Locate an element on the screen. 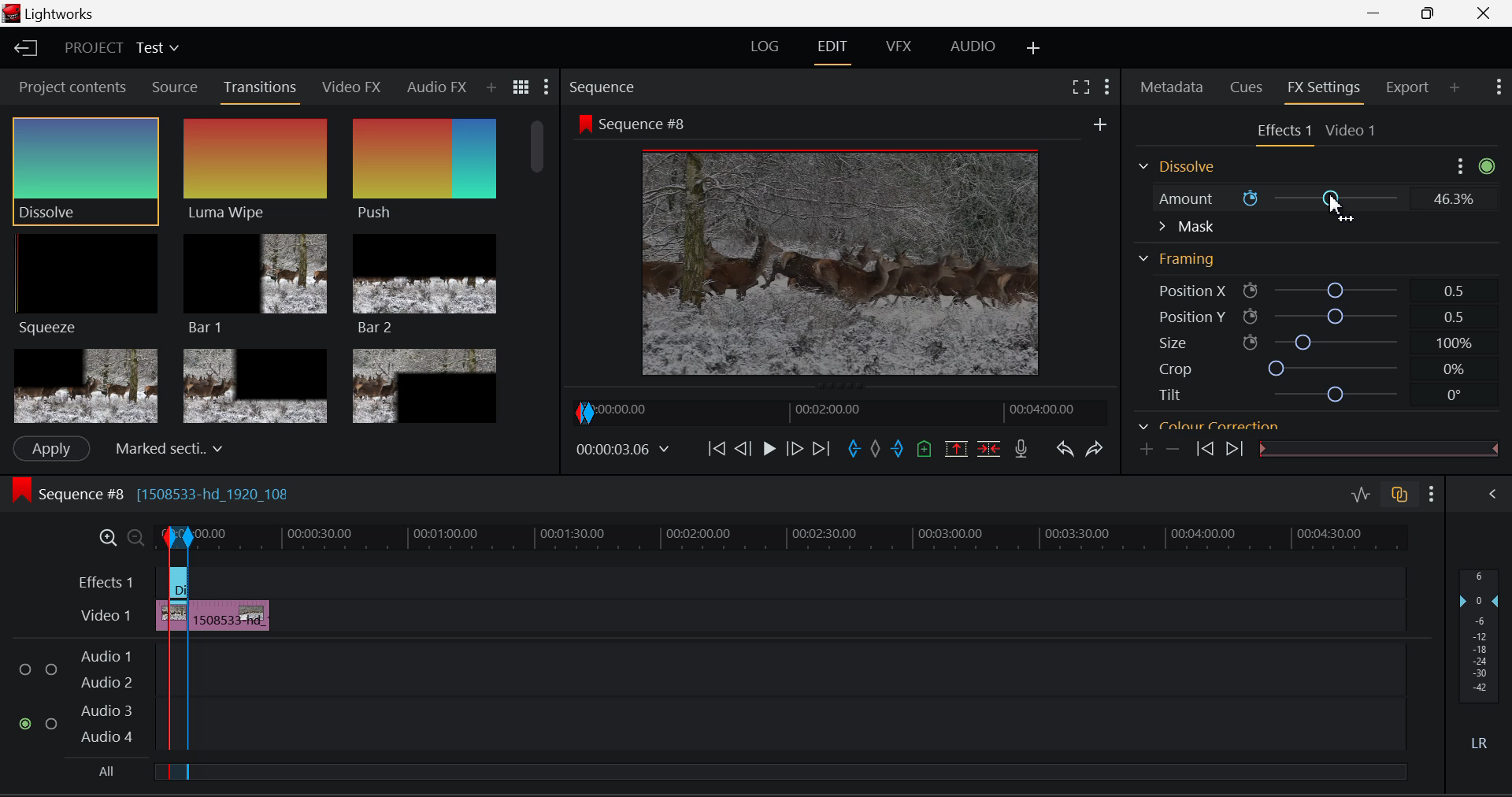 The width and height of the screenshot is (1512, 797). Effects 1 is located at coordinates (107, 581).